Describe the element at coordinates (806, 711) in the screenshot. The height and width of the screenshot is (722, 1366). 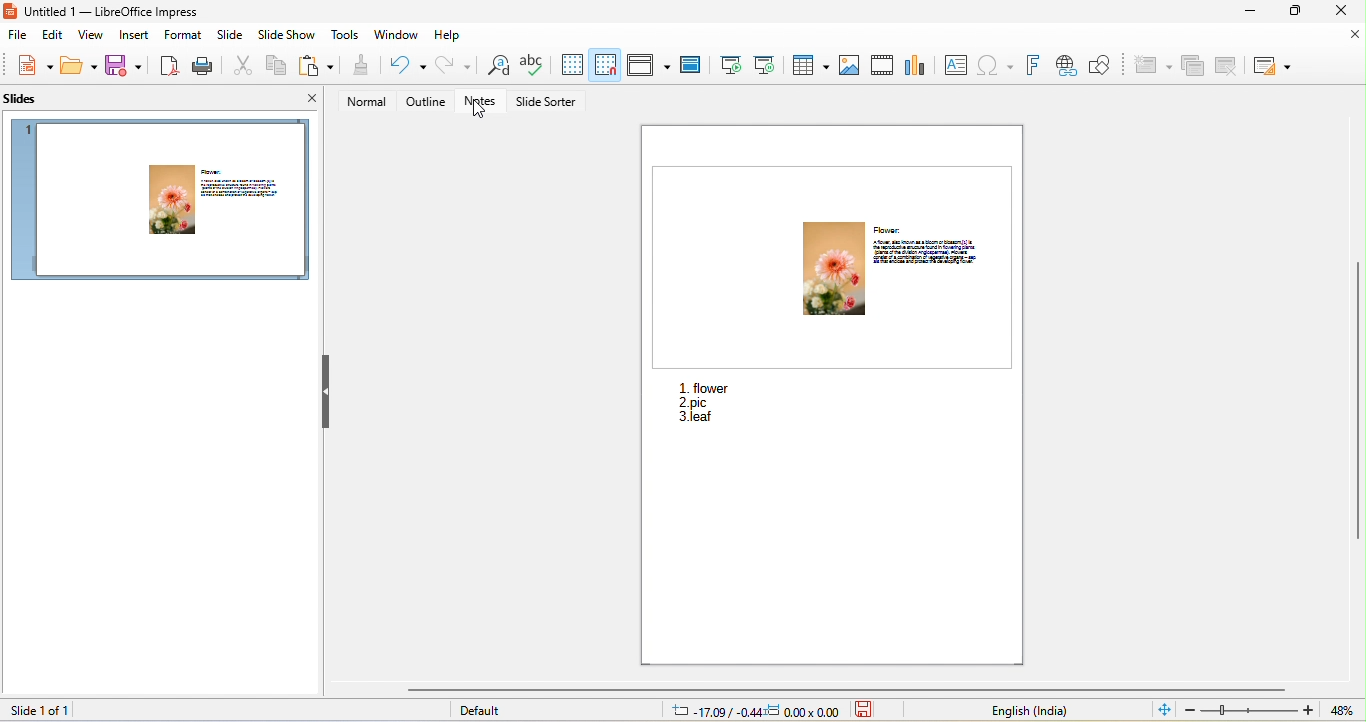
I see `0.00x0.00` at that location.